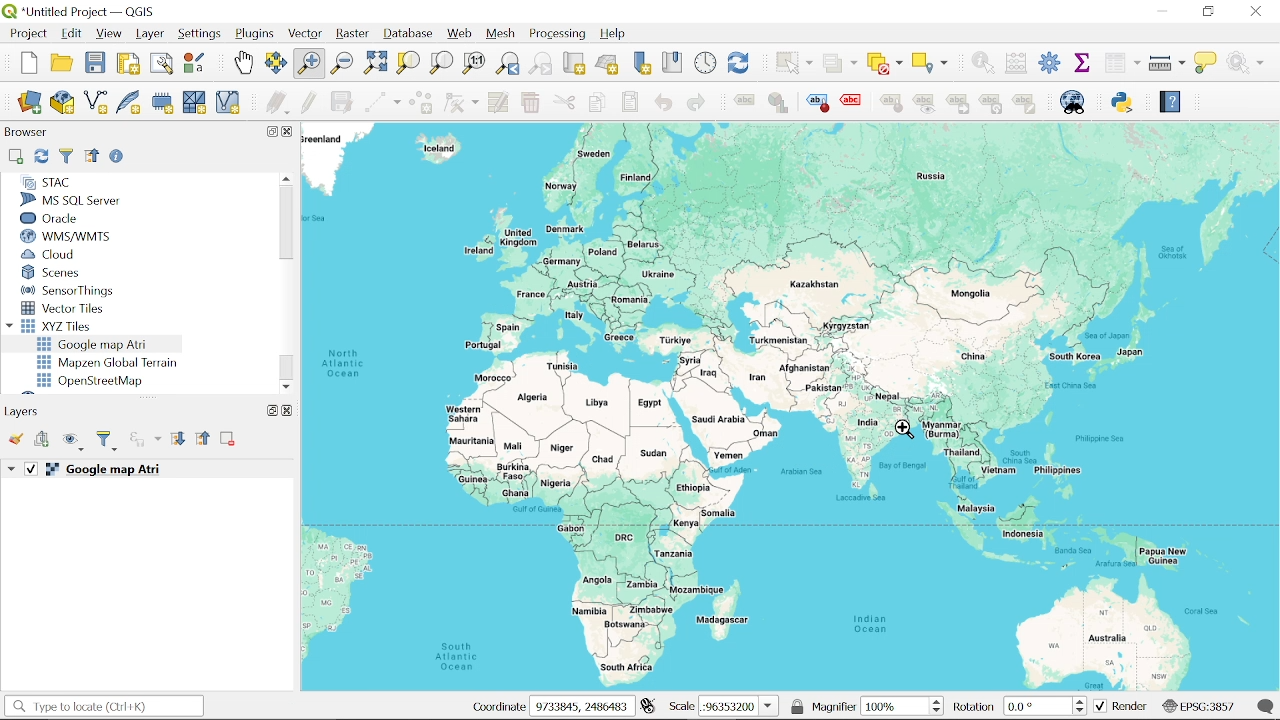 This screenshot has width=1280, height=720. Describe the element at coordinates (13, 470) in the screenshot. I see `Exoand` at that location.